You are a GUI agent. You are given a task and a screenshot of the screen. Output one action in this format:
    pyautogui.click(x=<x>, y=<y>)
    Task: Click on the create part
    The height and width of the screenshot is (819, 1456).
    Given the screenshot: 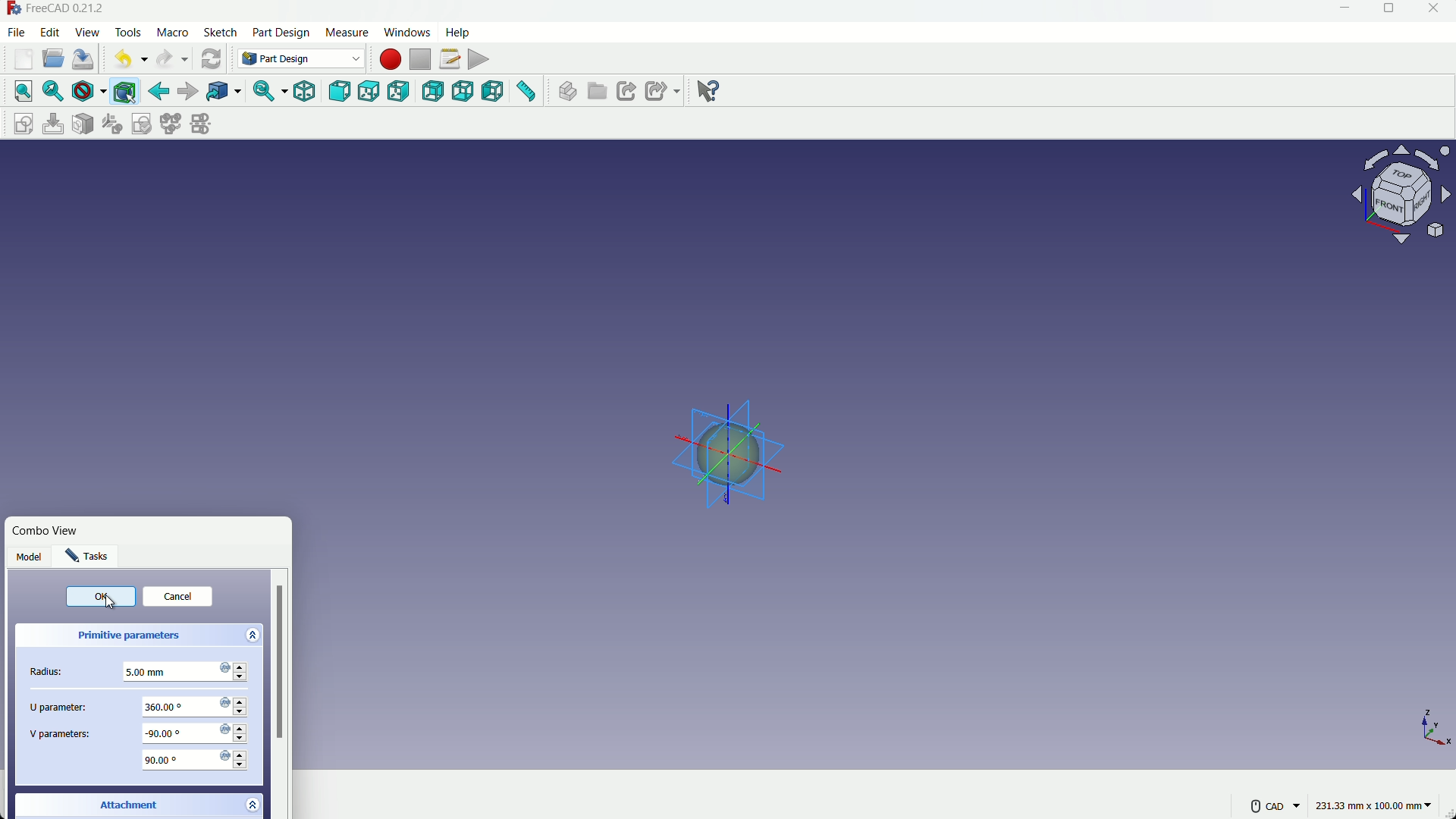 What is the action you would take?
    pyautogui.click(x=566, y=91)
    